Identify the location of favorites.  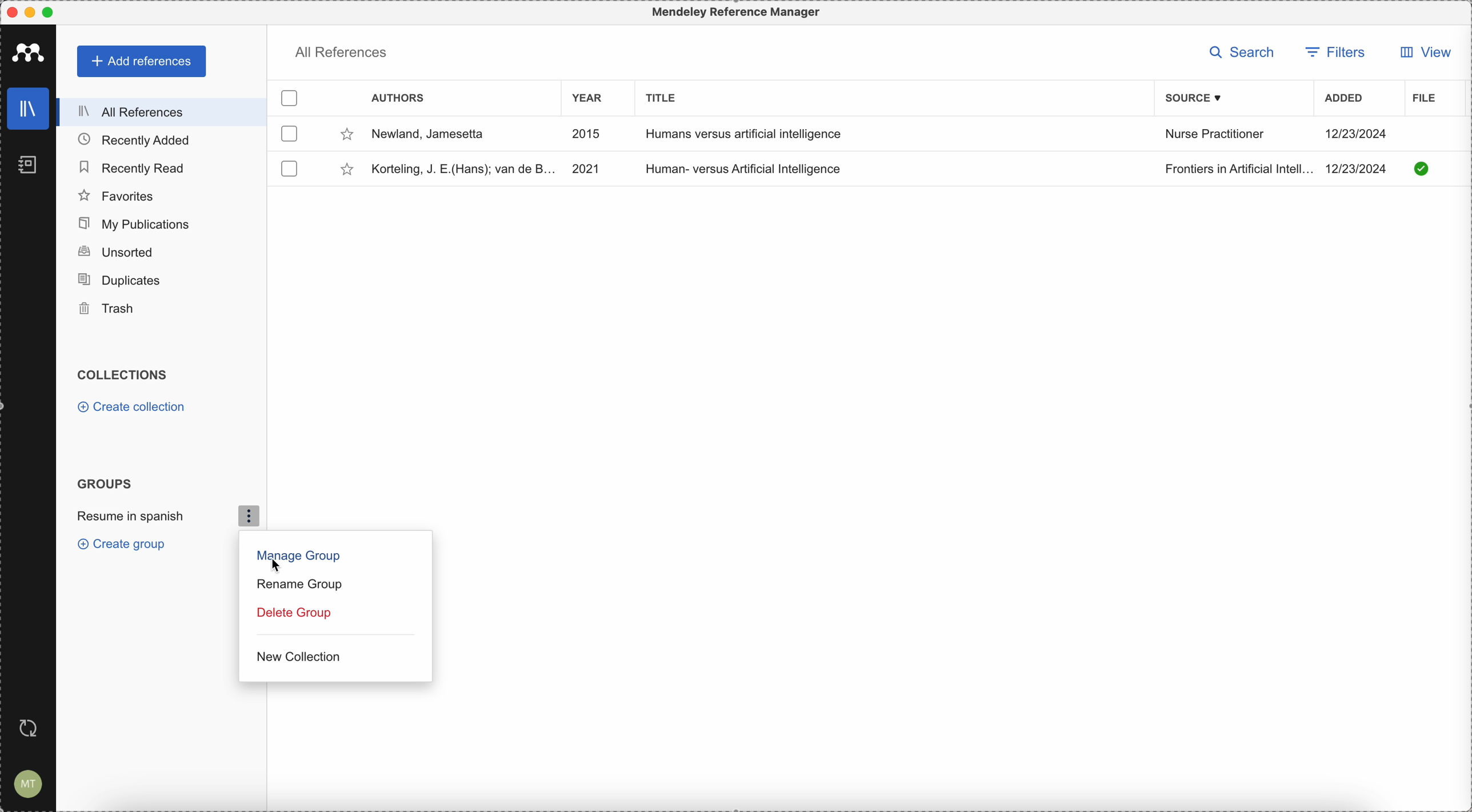
(118, 194).